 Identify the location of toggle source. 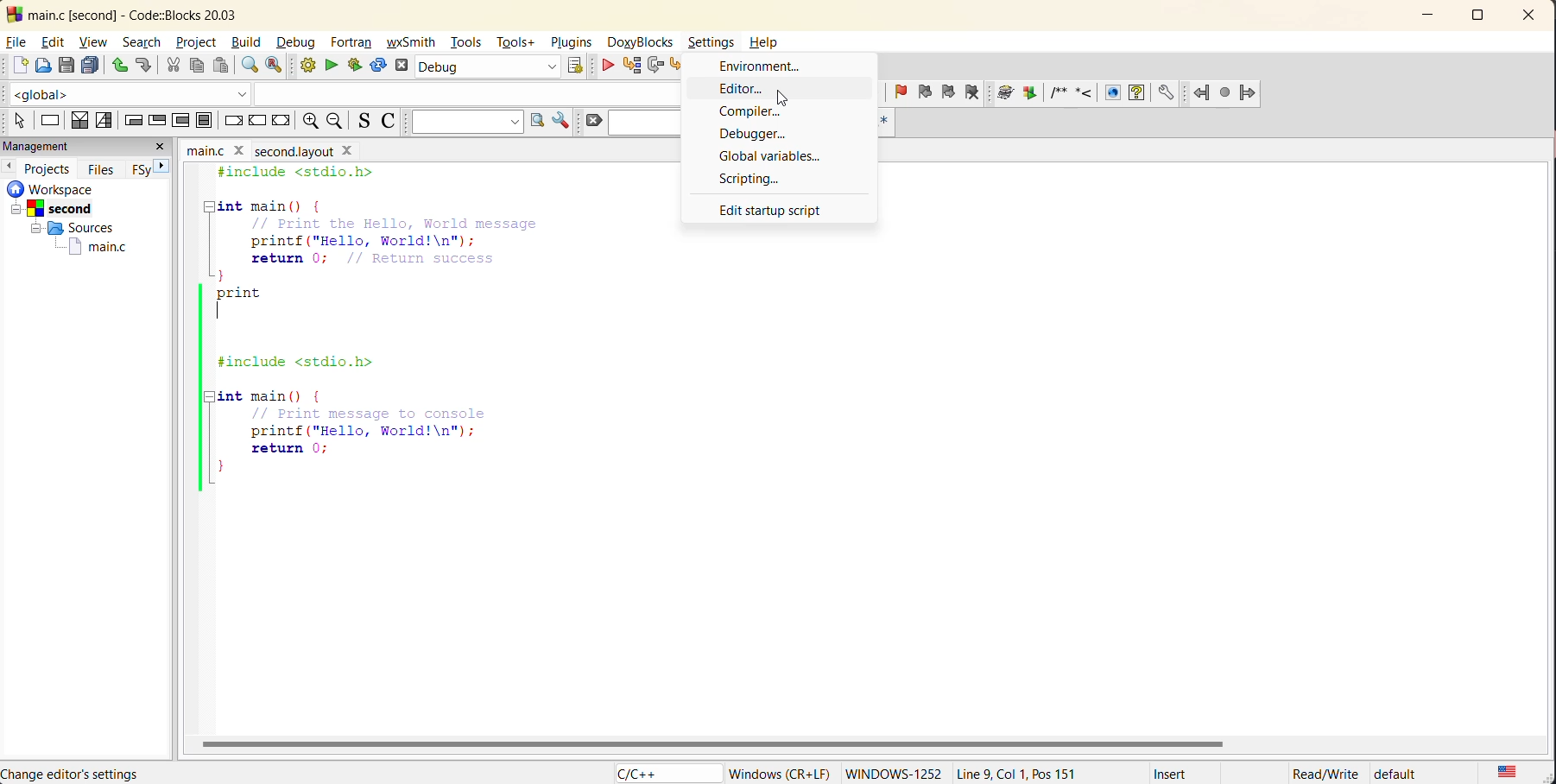
(367, 123).